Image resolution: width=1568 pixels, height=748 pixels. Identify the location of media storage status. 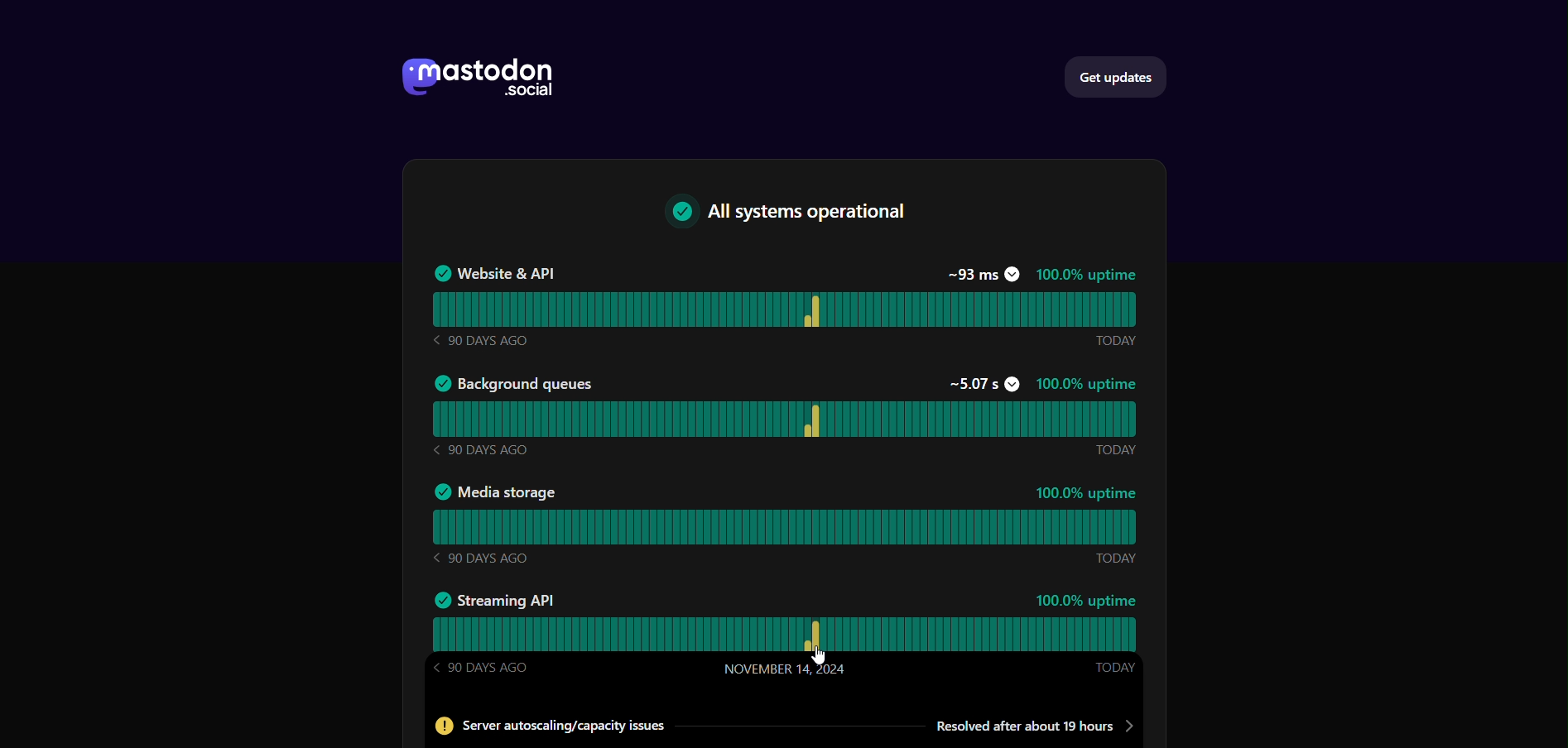
(784, 529).